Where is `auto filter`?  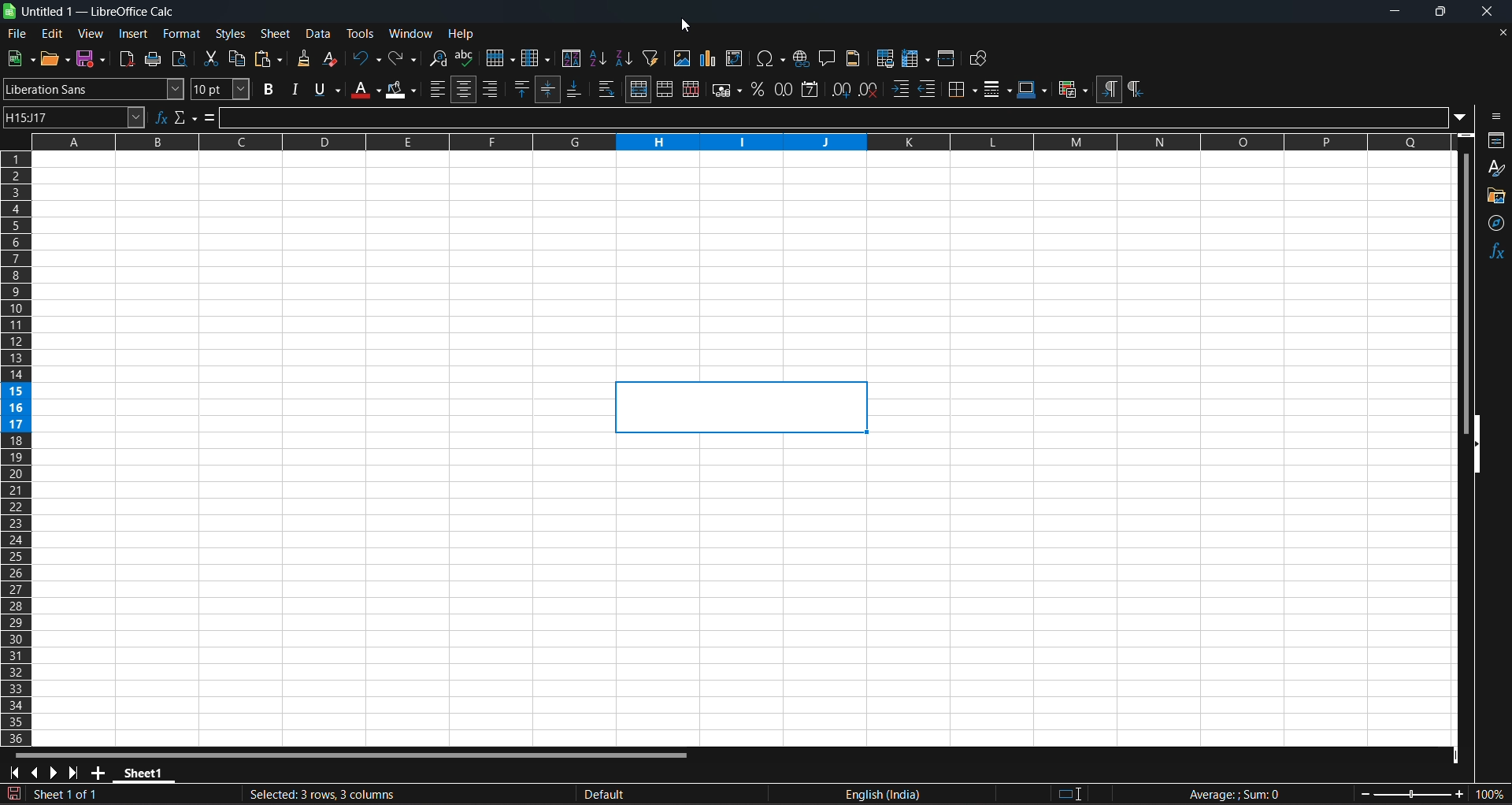 auto filter is located at coordinates (653, 57).